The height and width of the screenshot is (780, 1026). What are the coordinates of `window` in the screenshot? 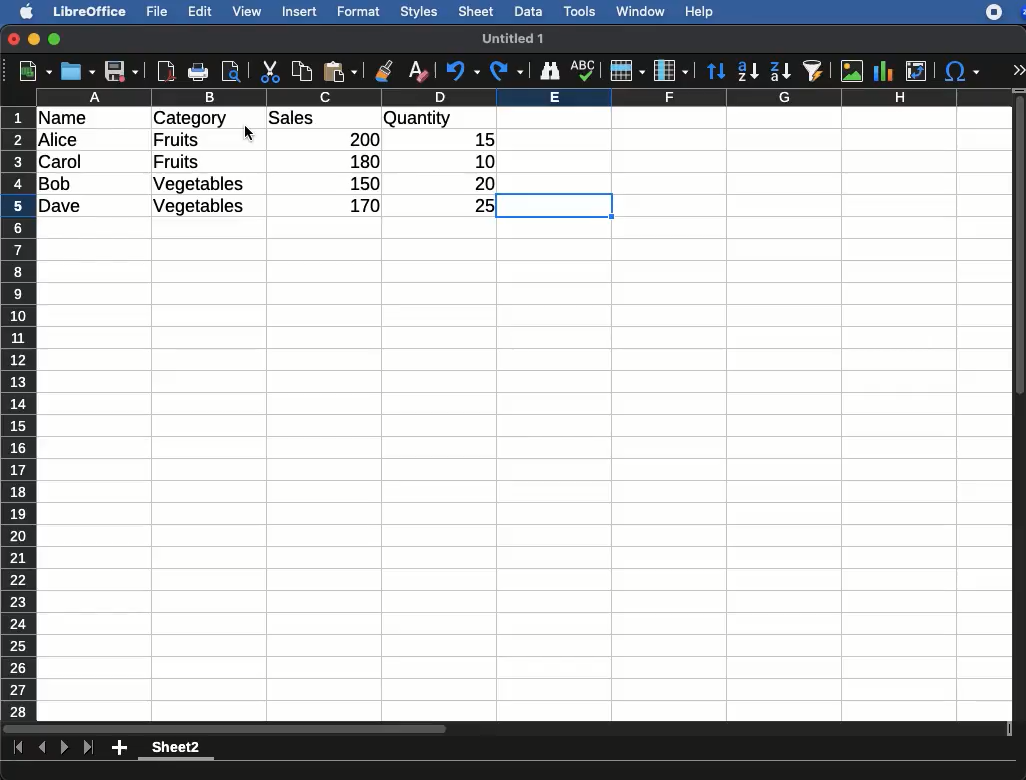 It's located at (638, 11).